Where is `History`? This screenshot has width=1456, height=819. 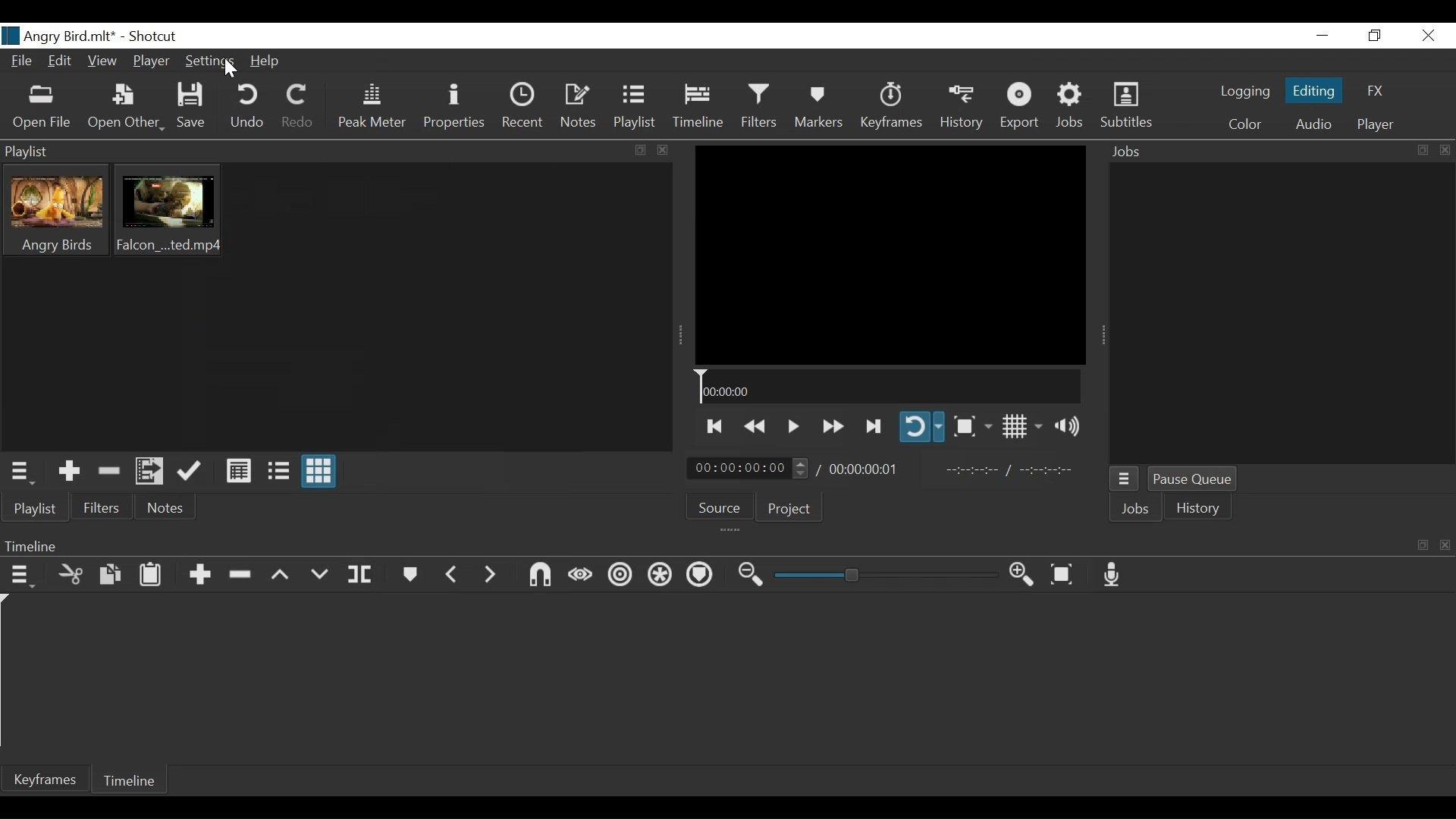 History is located at coordinates (964, 108).